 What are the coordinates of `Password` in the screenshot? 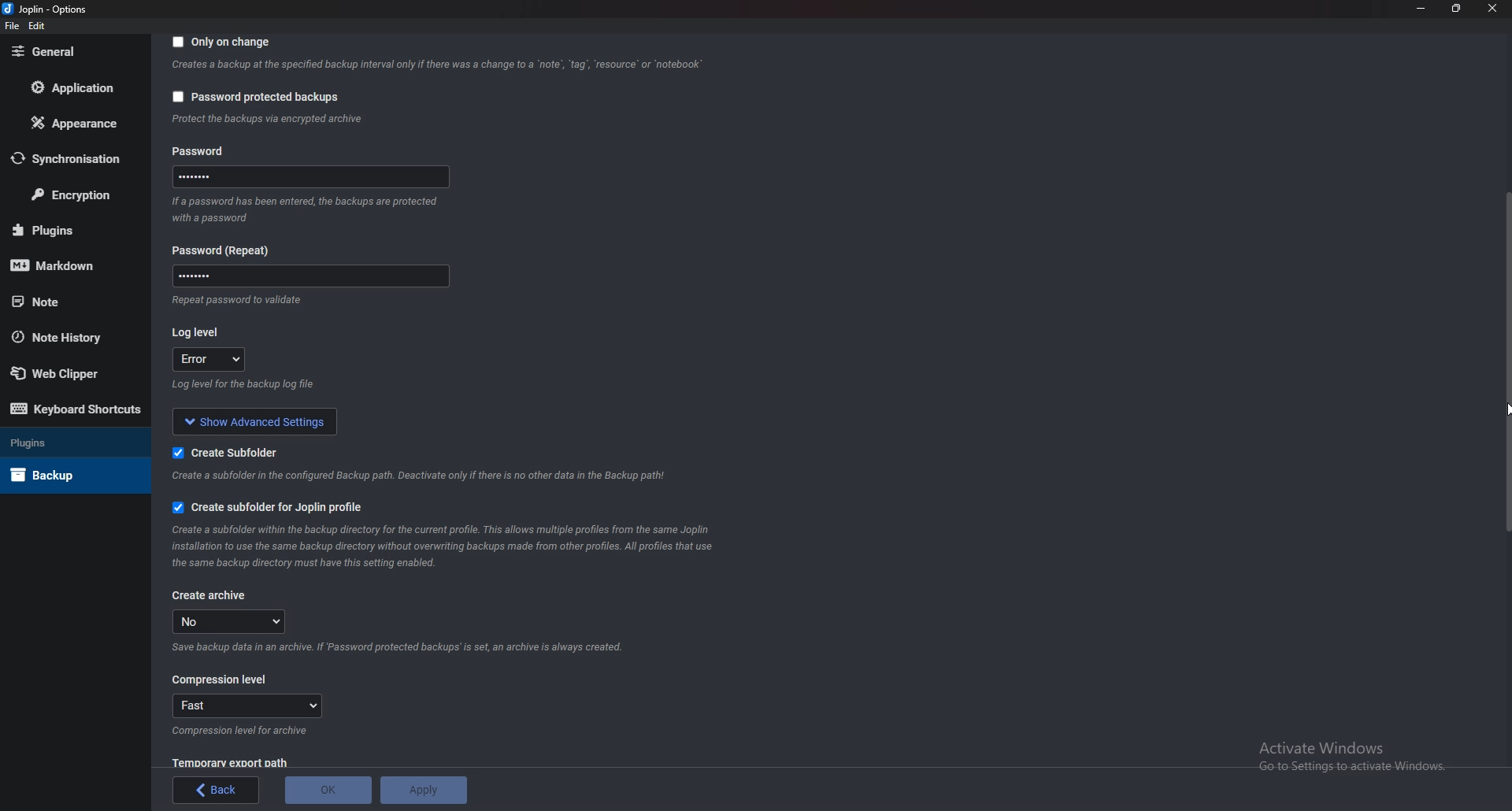 It's located at (308, 275).